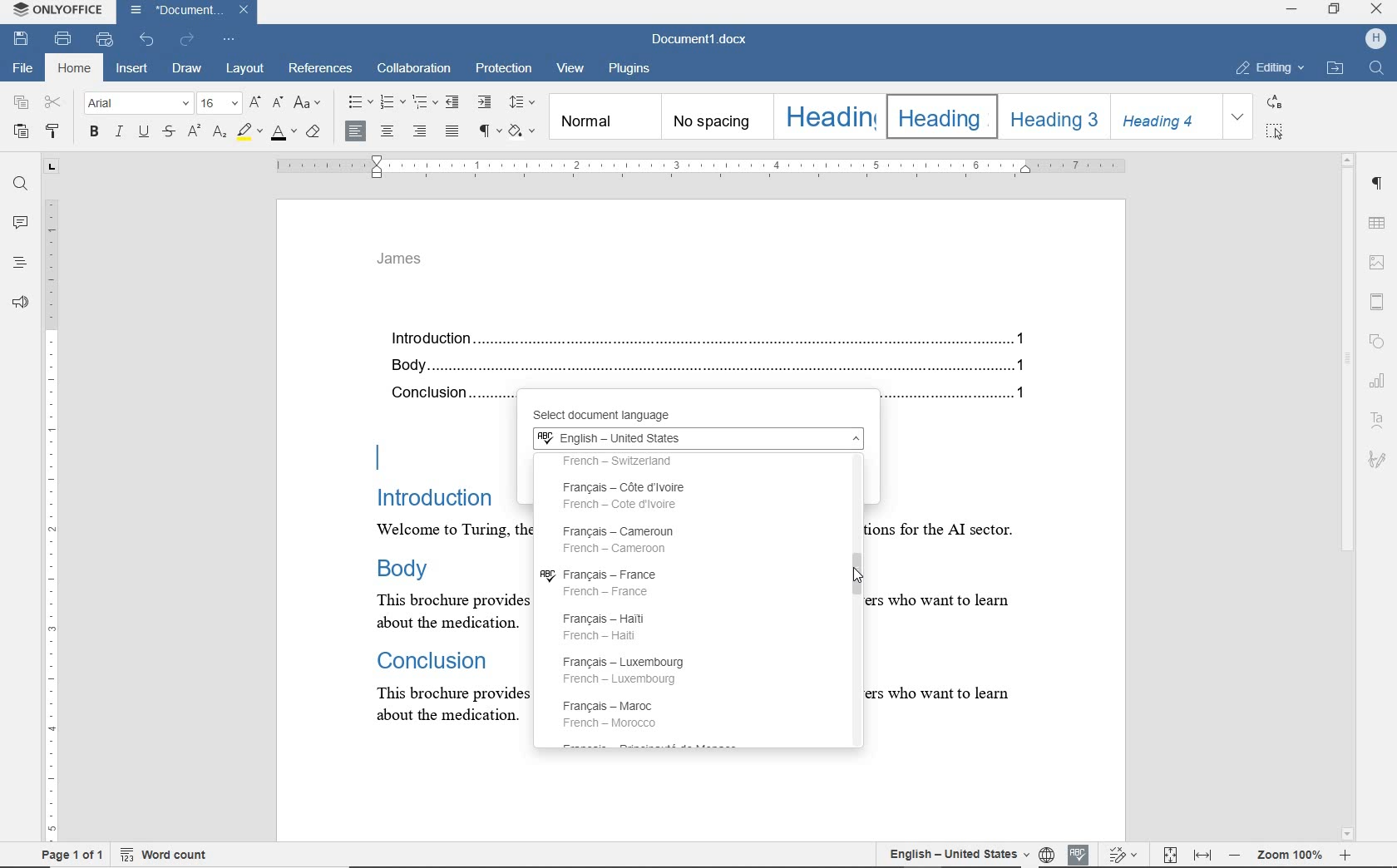 This screenshot has height=868, width=1397. Describe the element at coordinates (1376, 458) in the screenshot. I see `signature` at that location.